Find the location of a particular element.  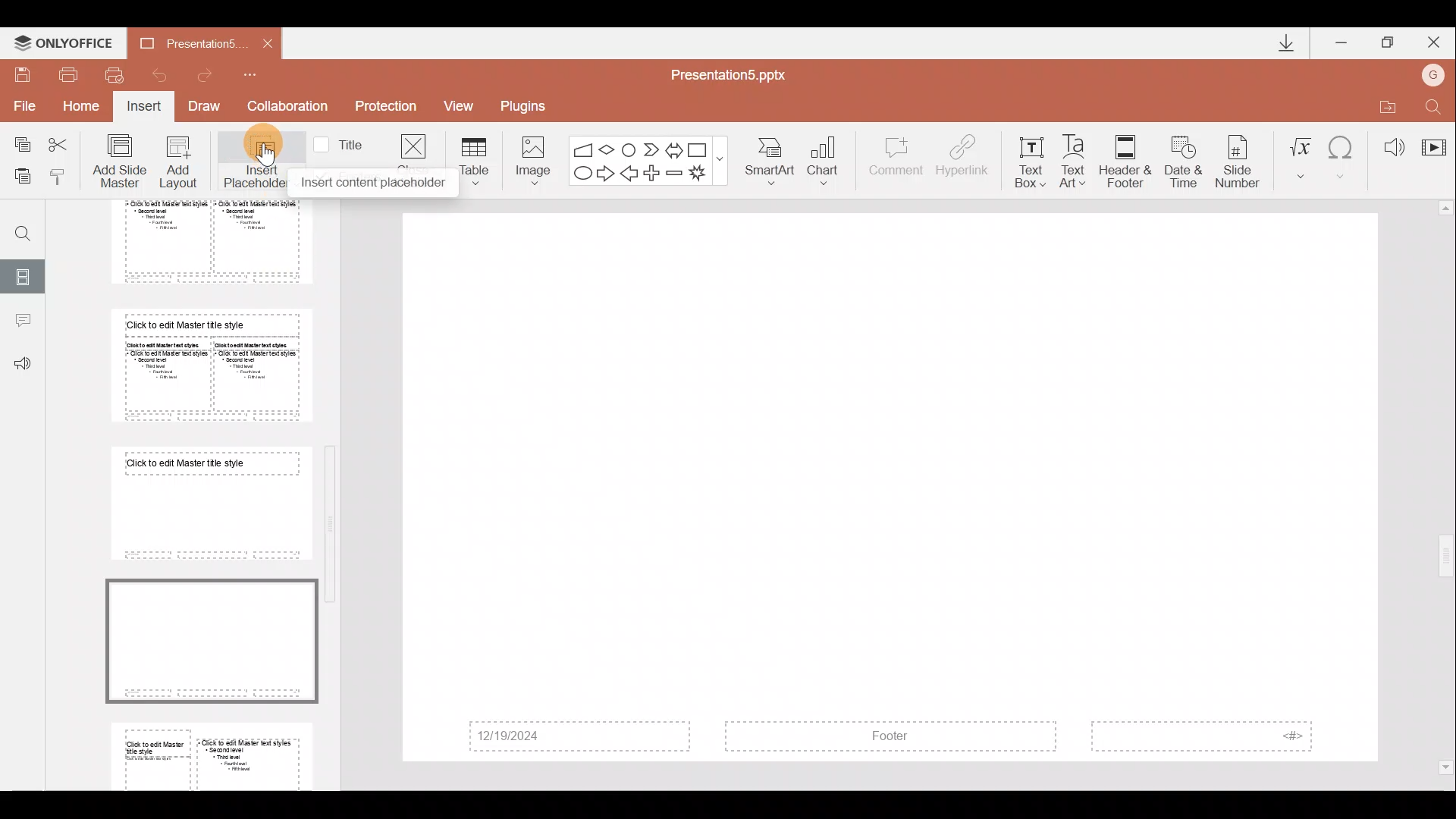

Slide 9 is located at coordinates (215, 753).